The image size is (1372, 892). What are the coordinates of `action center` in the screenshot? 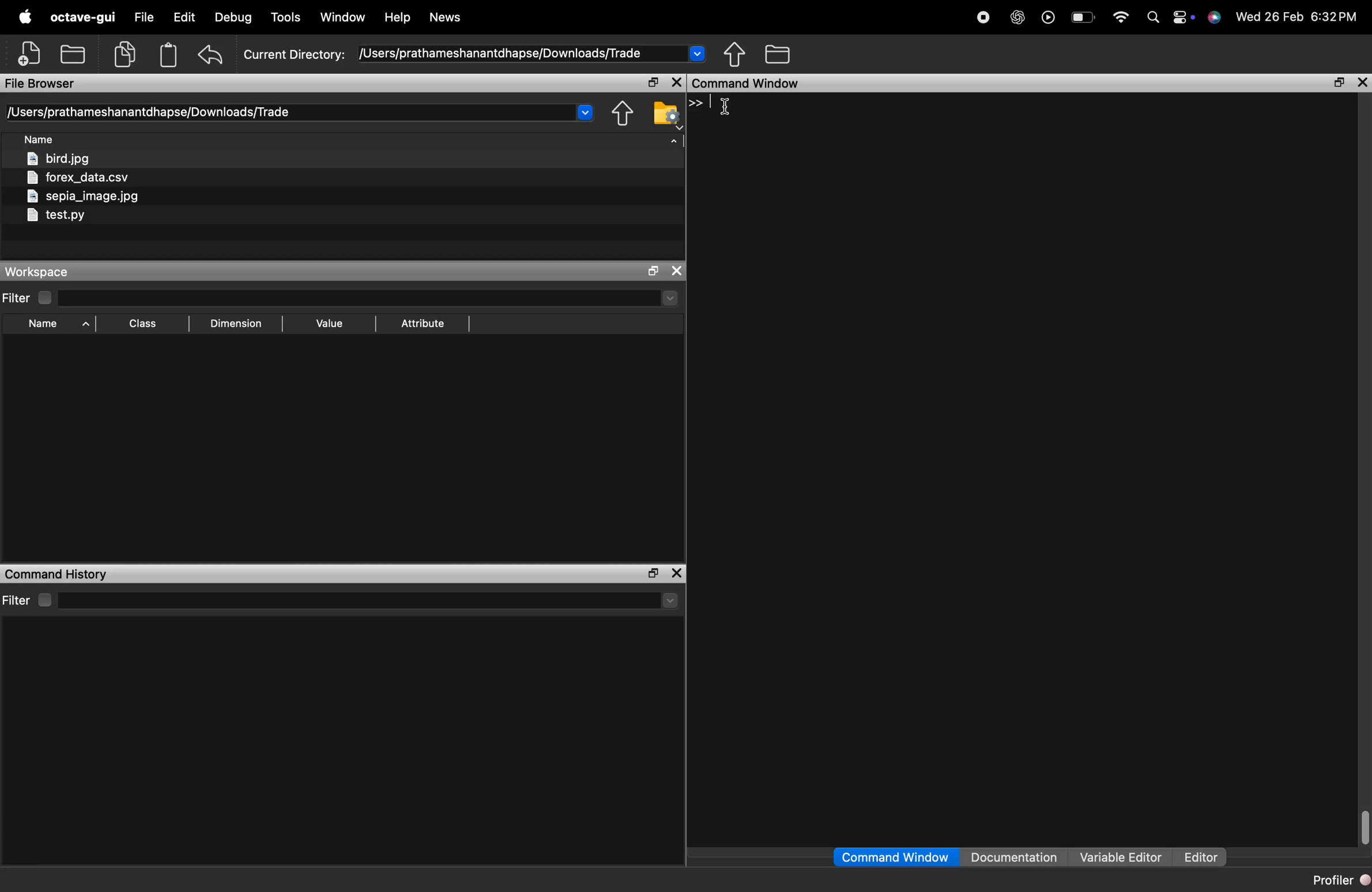 It's located at (1185, 18).